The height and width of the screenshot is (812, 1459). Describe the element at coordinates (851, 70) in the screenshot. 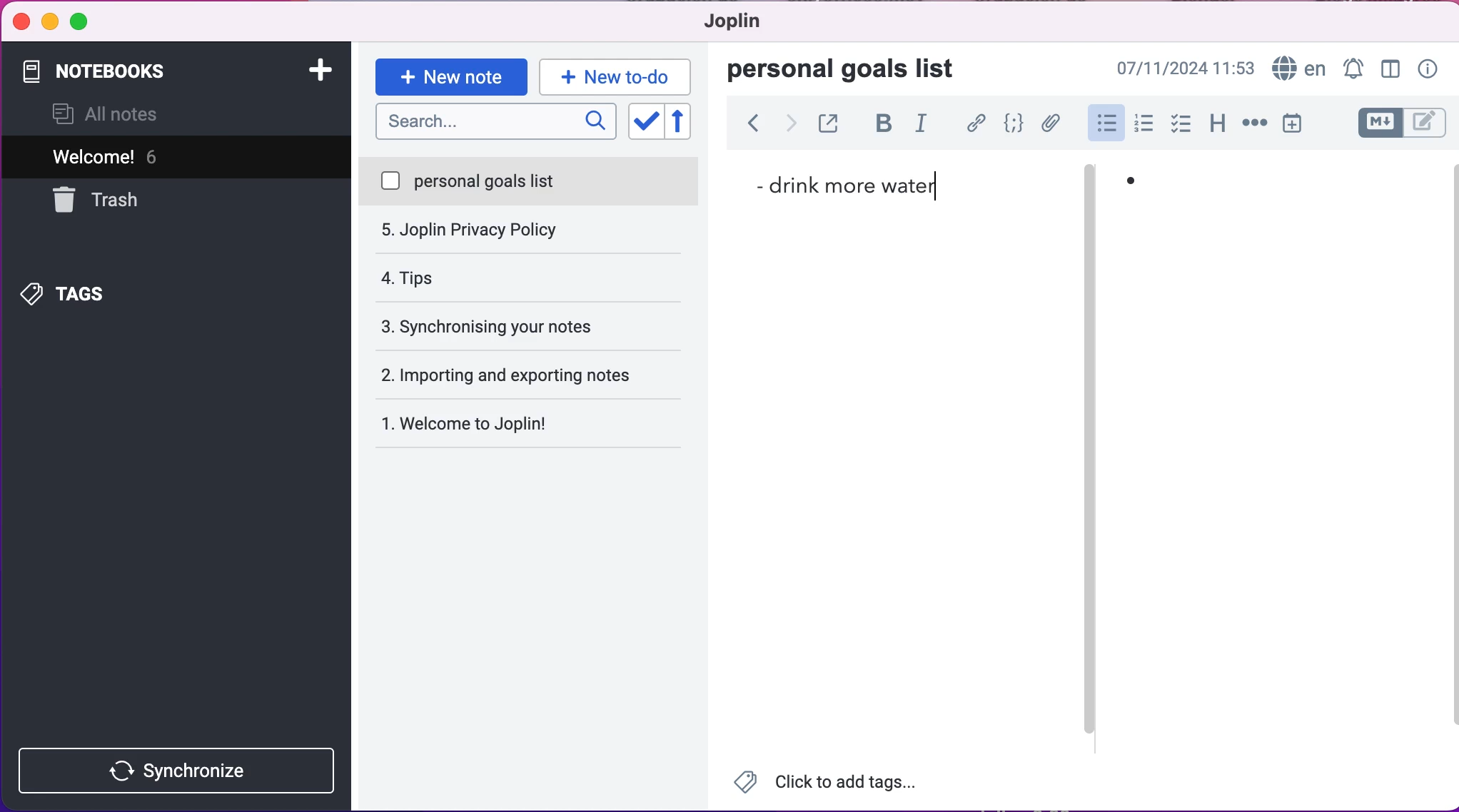

I see `personal goals list` at that location.